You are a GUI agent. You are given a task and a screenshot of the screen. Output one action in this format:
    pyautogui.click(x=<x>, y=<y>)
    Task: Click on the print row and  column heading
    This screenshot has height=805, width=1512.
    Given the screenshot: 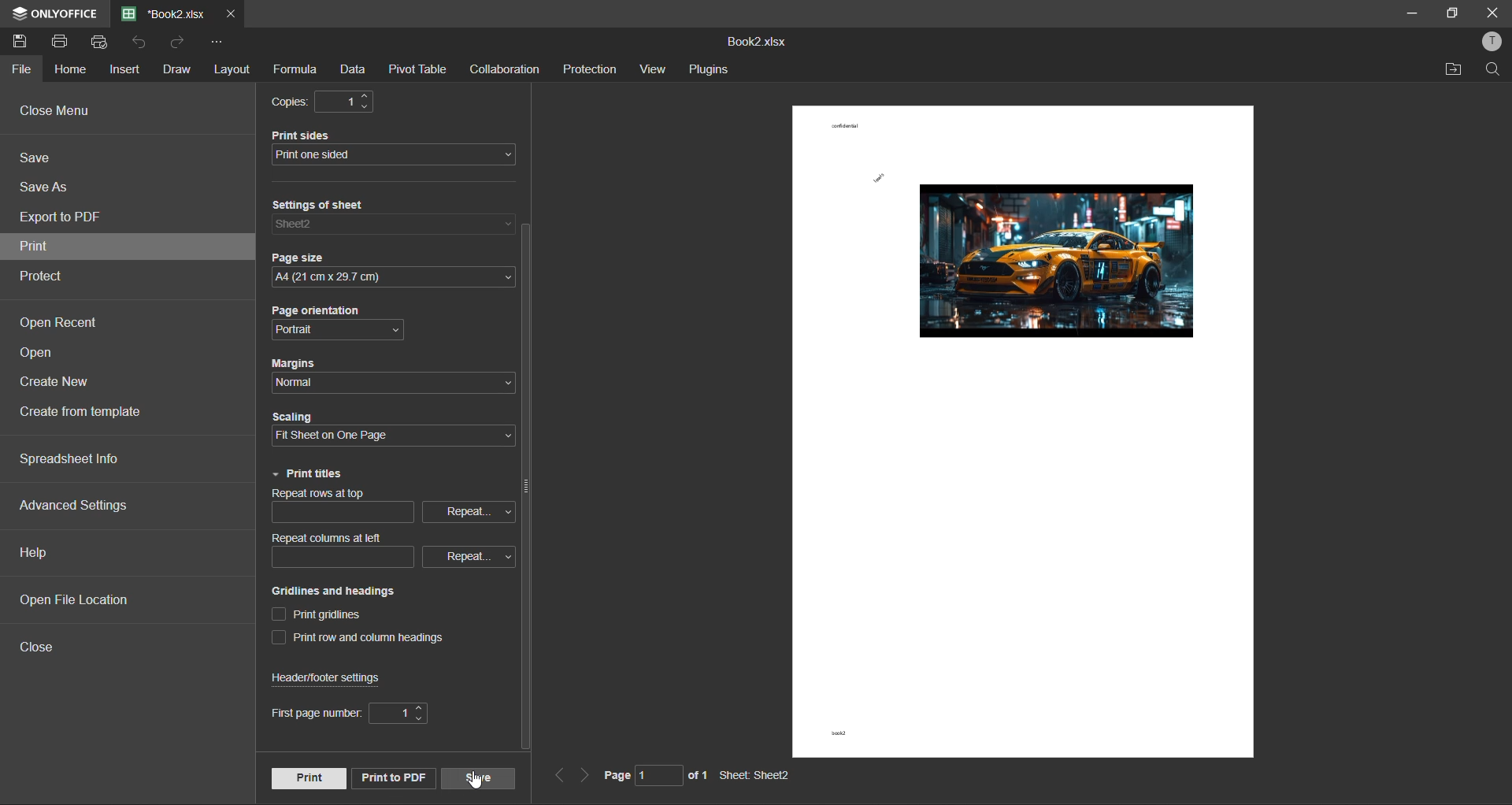 What is the action you would take?
    pyautogui.click(x=360, y=637)
    